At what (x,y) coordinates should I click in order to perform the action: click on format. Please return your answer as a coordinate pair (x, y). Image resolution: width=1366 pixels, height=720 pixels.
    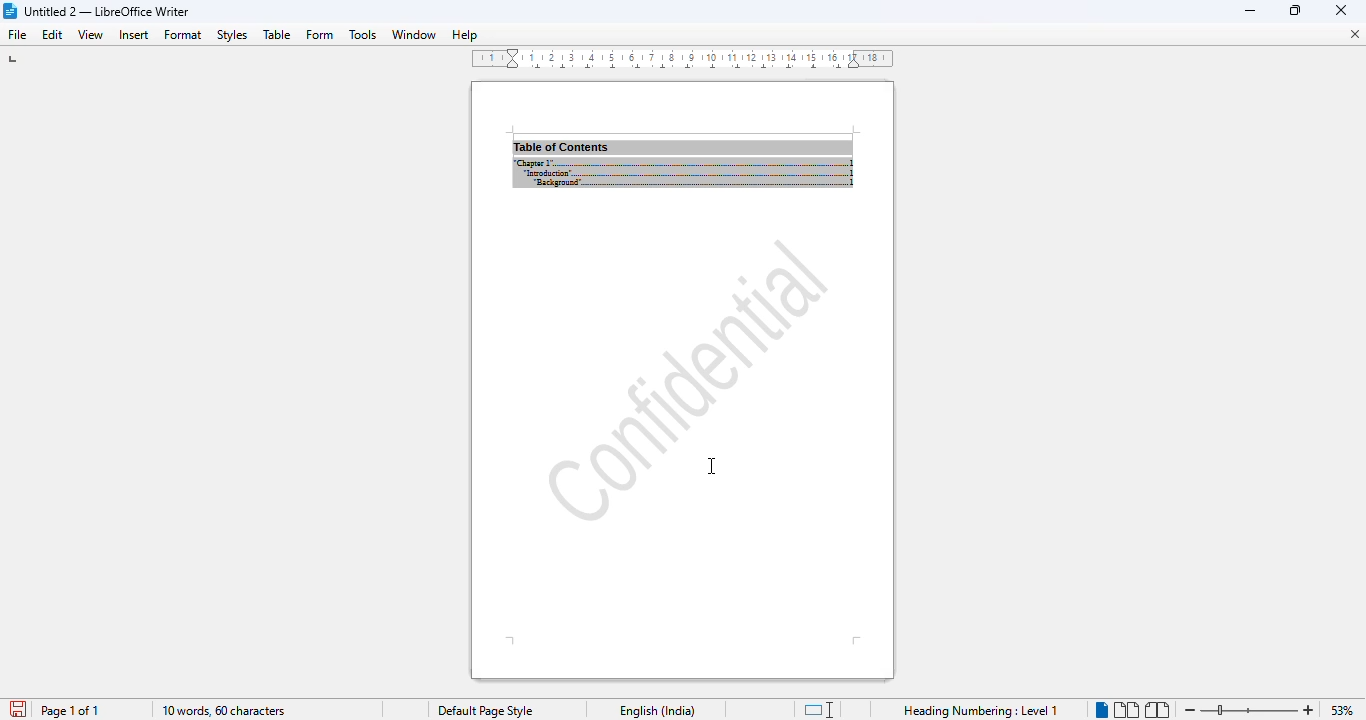
    Looking at the image, I should click on (184, 35).